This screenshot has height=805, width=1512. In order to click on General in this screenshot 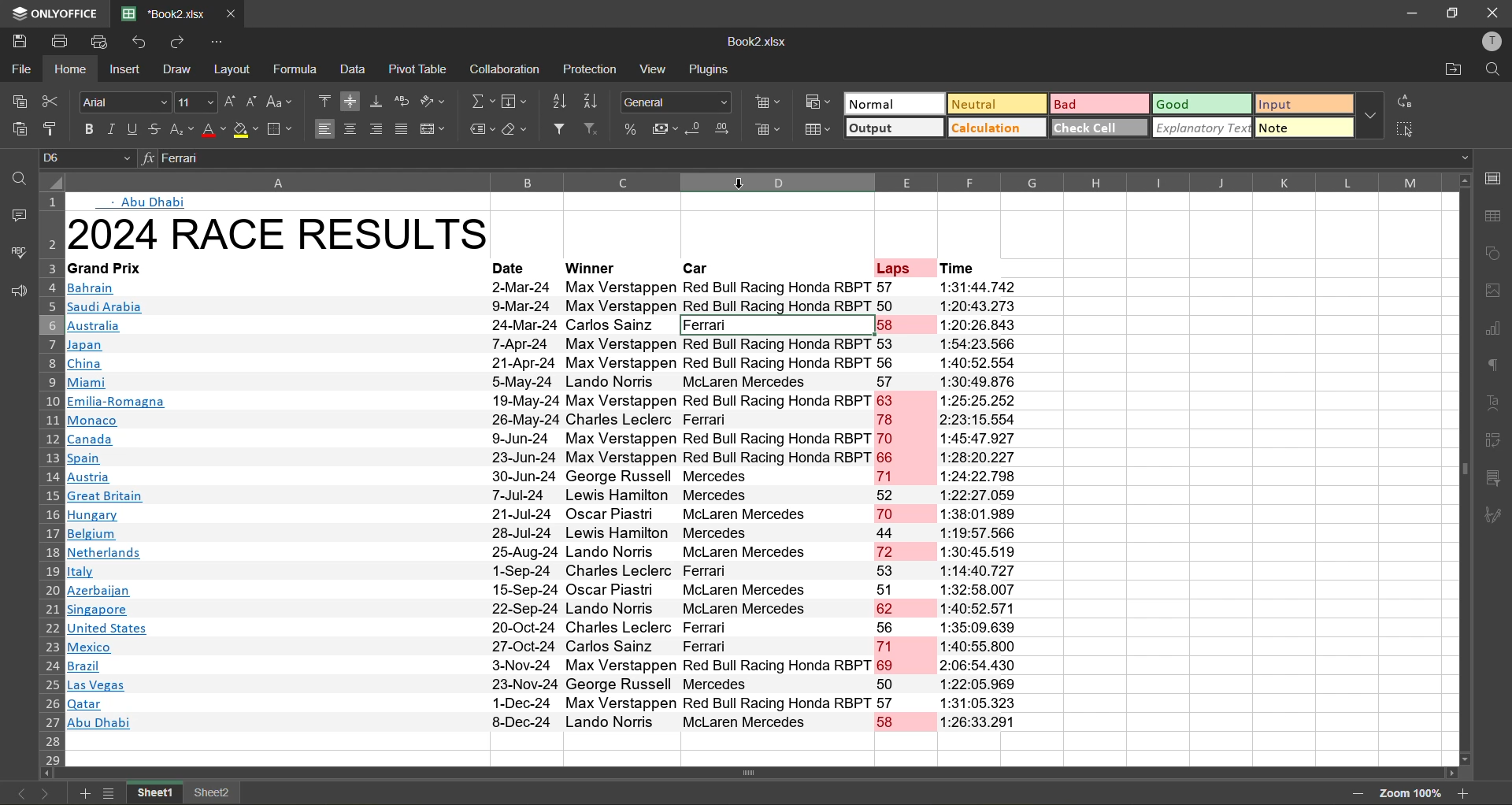, I will do `click(675, 100)`.